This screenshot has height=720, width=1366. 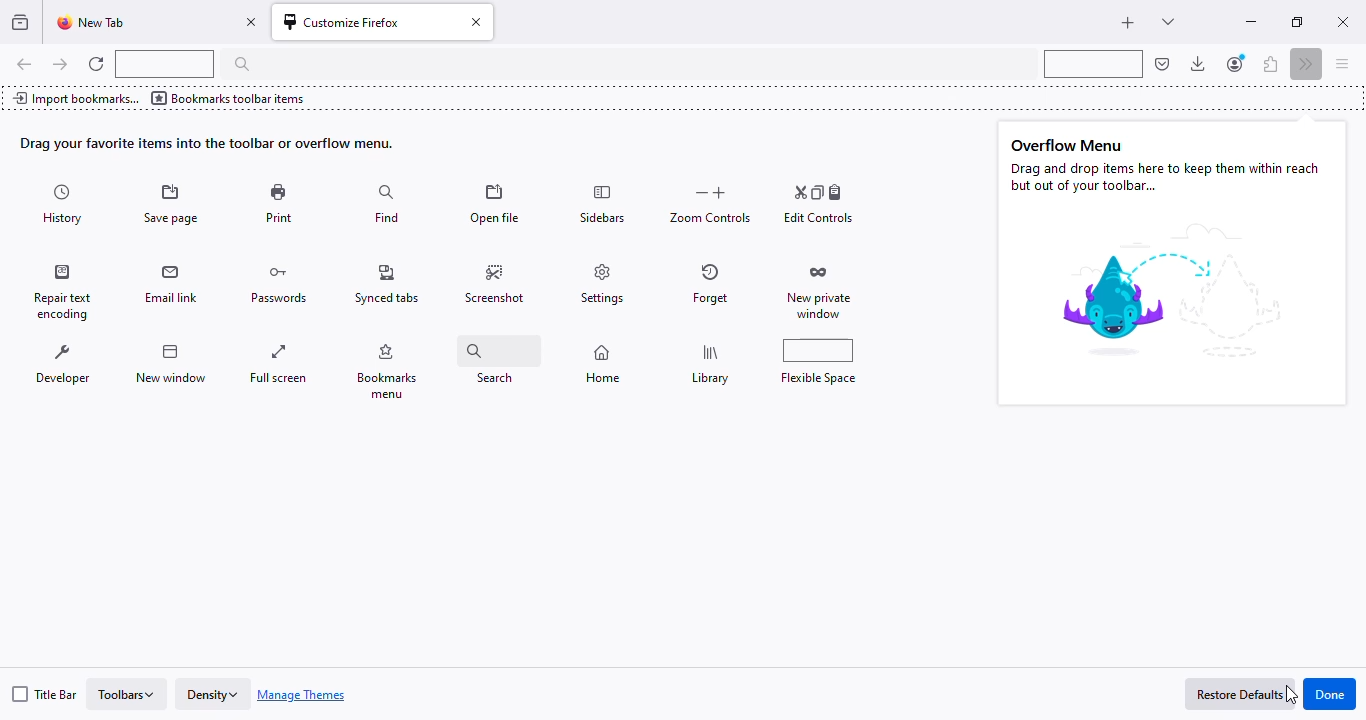 What do you see at coordinates (1305, 64) in the screenshot?
I see `more tools` at bounding box center [1305, 64].